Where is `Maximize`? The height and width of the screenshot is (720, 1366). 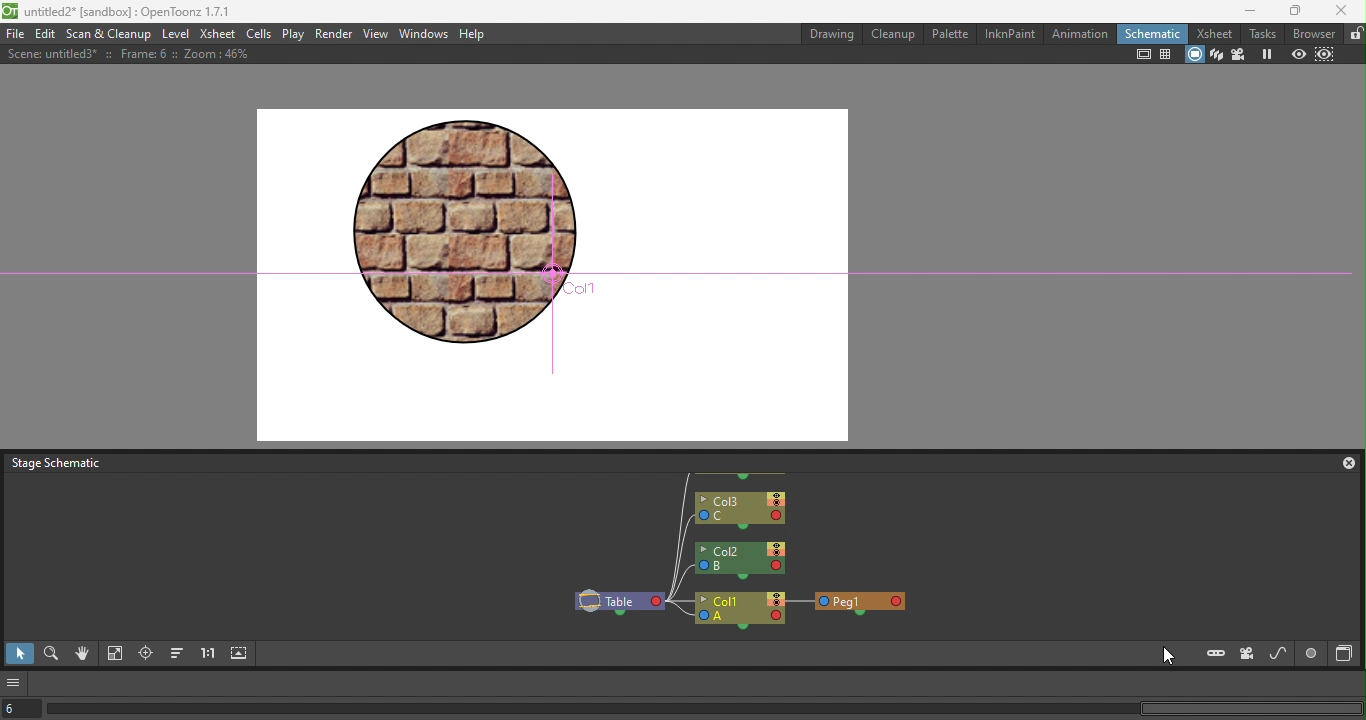
Maximize is located at coordinates (1288, 10).